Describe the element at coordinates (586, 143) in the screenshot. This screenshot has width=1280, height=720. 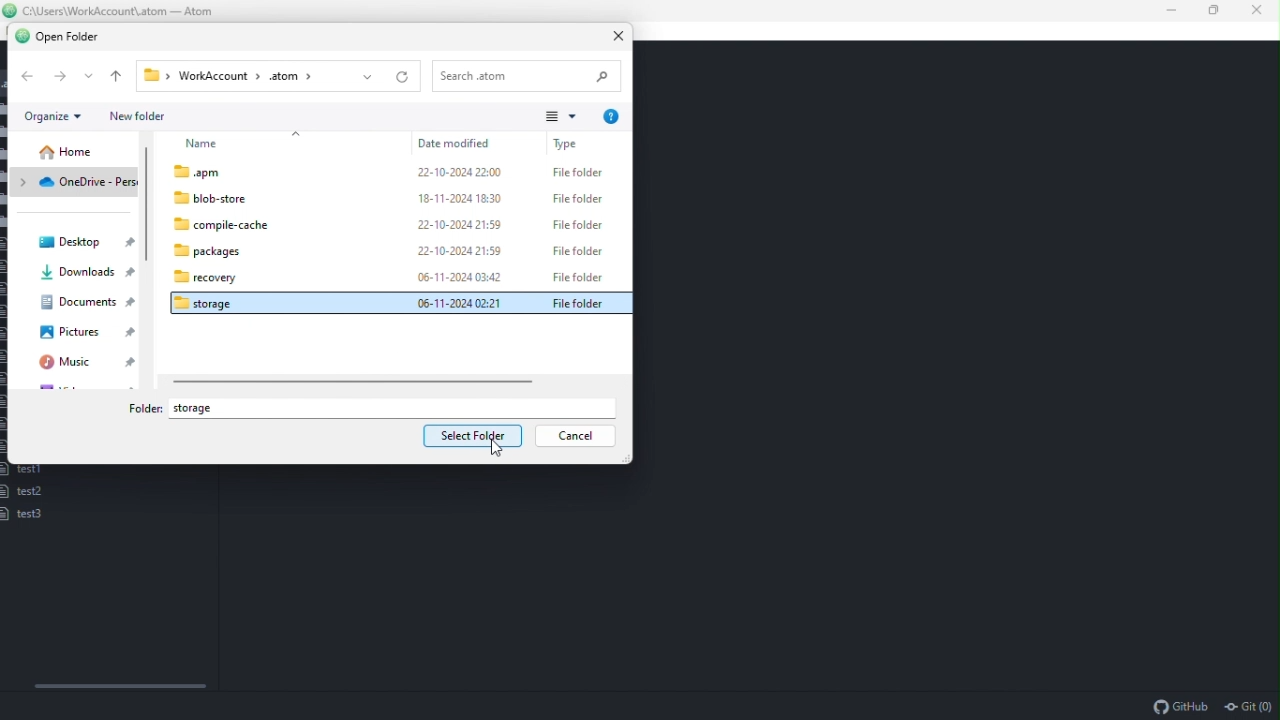
I see `Type` at that location.